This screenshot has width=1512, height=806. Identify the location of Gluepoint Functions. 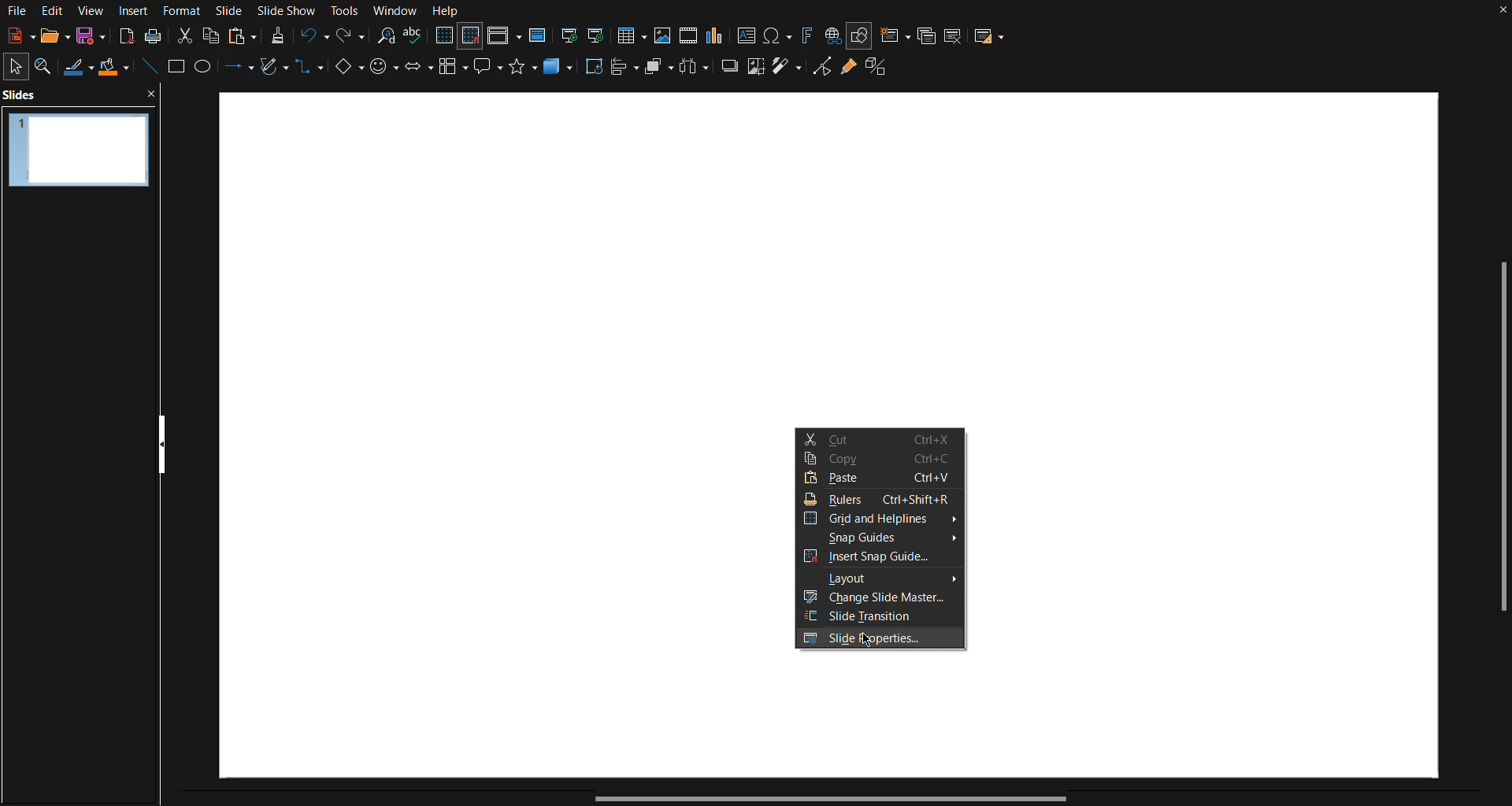
(848, 72).